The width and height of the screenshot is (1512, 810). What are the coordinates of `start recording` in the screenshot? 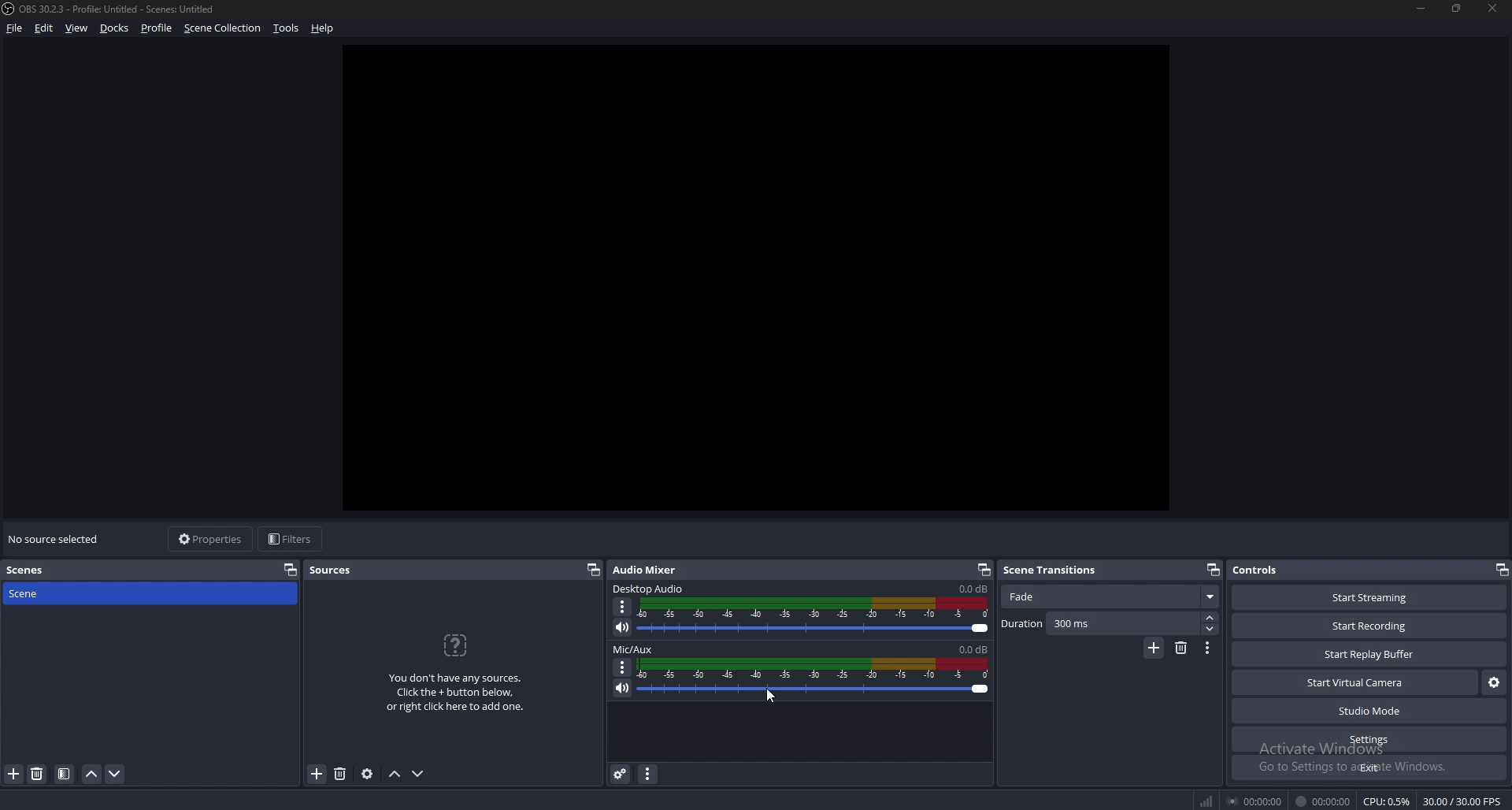 It's located at (1370, 626).